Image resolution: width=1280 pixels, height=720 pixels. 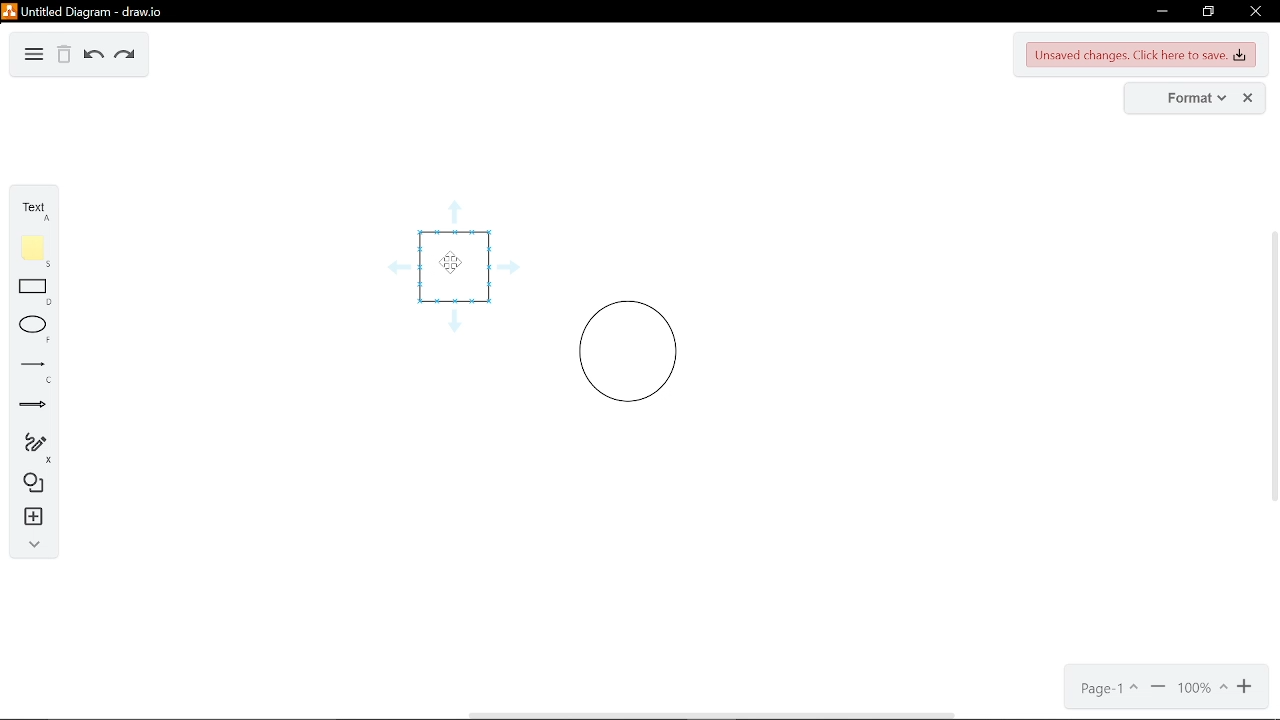 What do you see at coordinates (1272, 366) in the screenshot?
I see `vertical scrollbar` at bounding box center [1272, 366].